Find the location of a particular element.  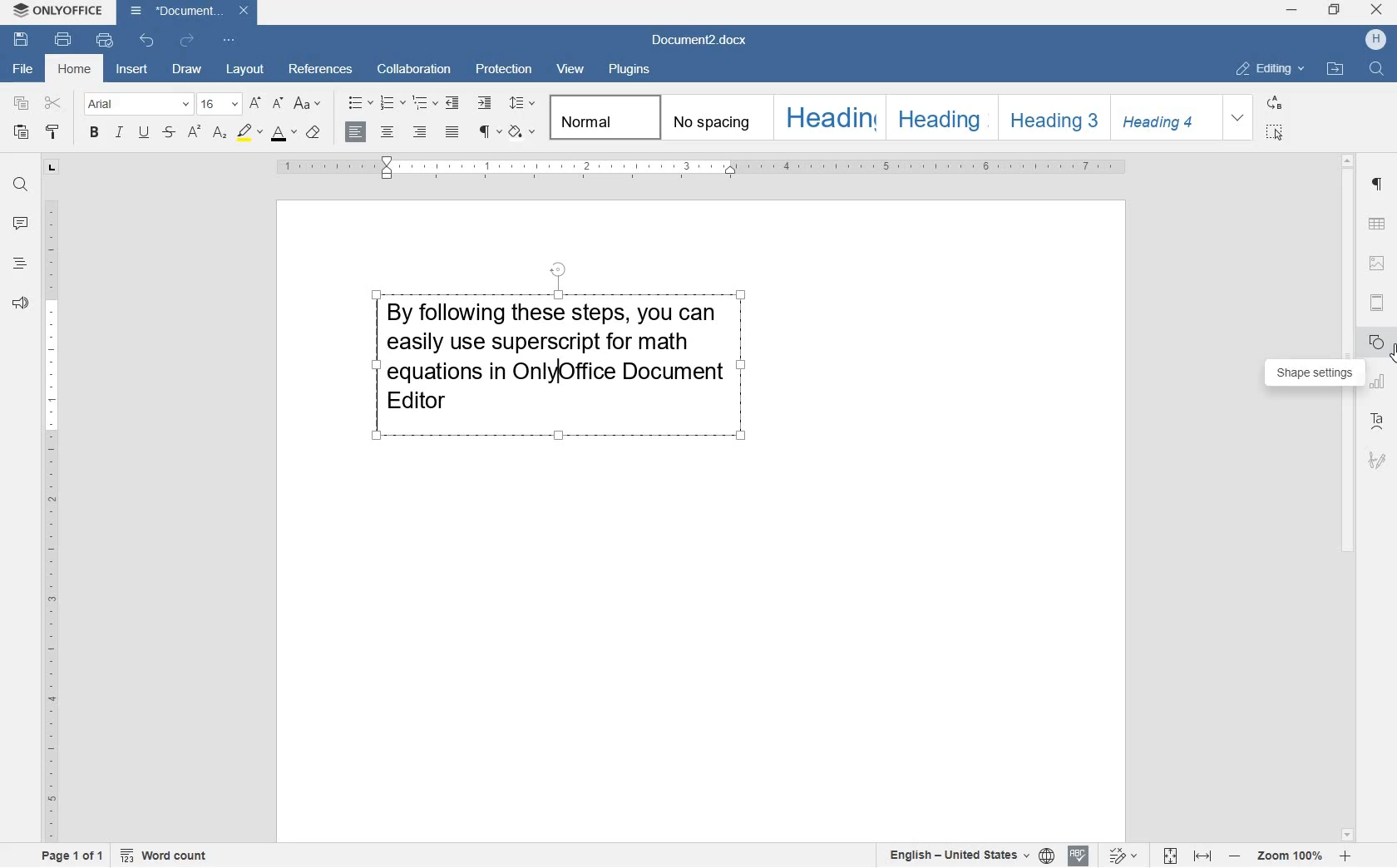

print is located at coordinates (64, 40).